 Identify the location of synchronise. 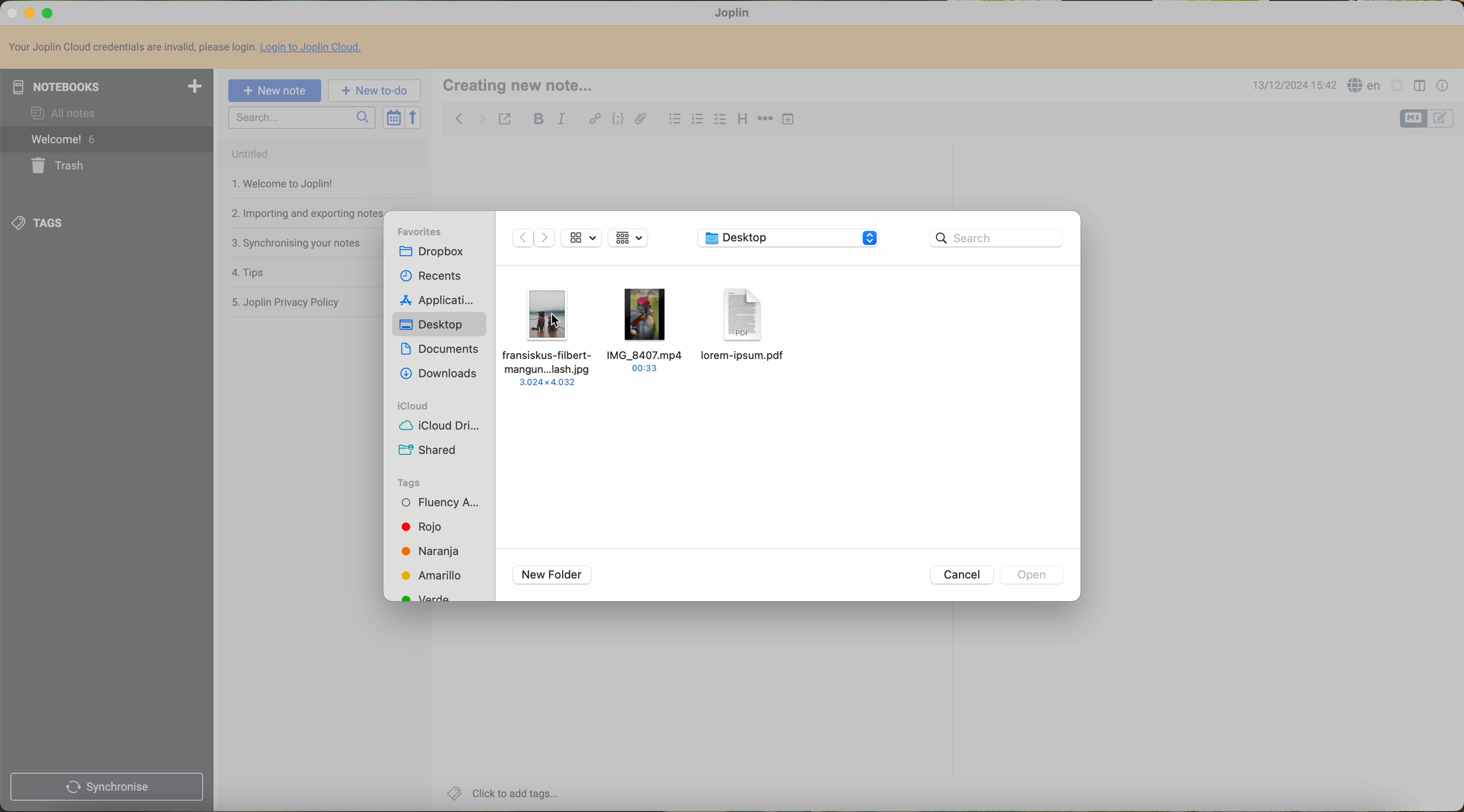
(106, 788).